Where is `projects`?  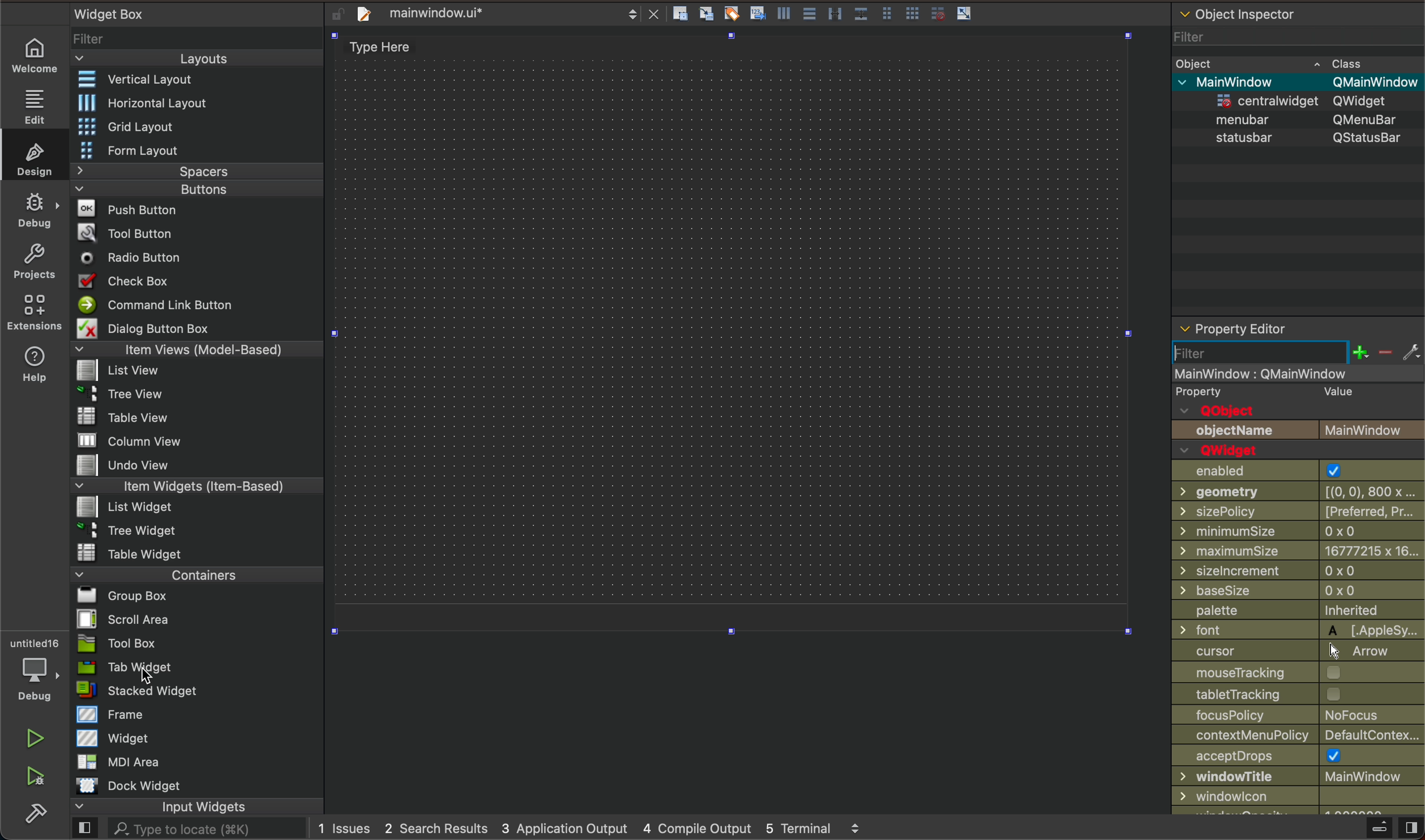
projects is located at coordinates (36, 261).